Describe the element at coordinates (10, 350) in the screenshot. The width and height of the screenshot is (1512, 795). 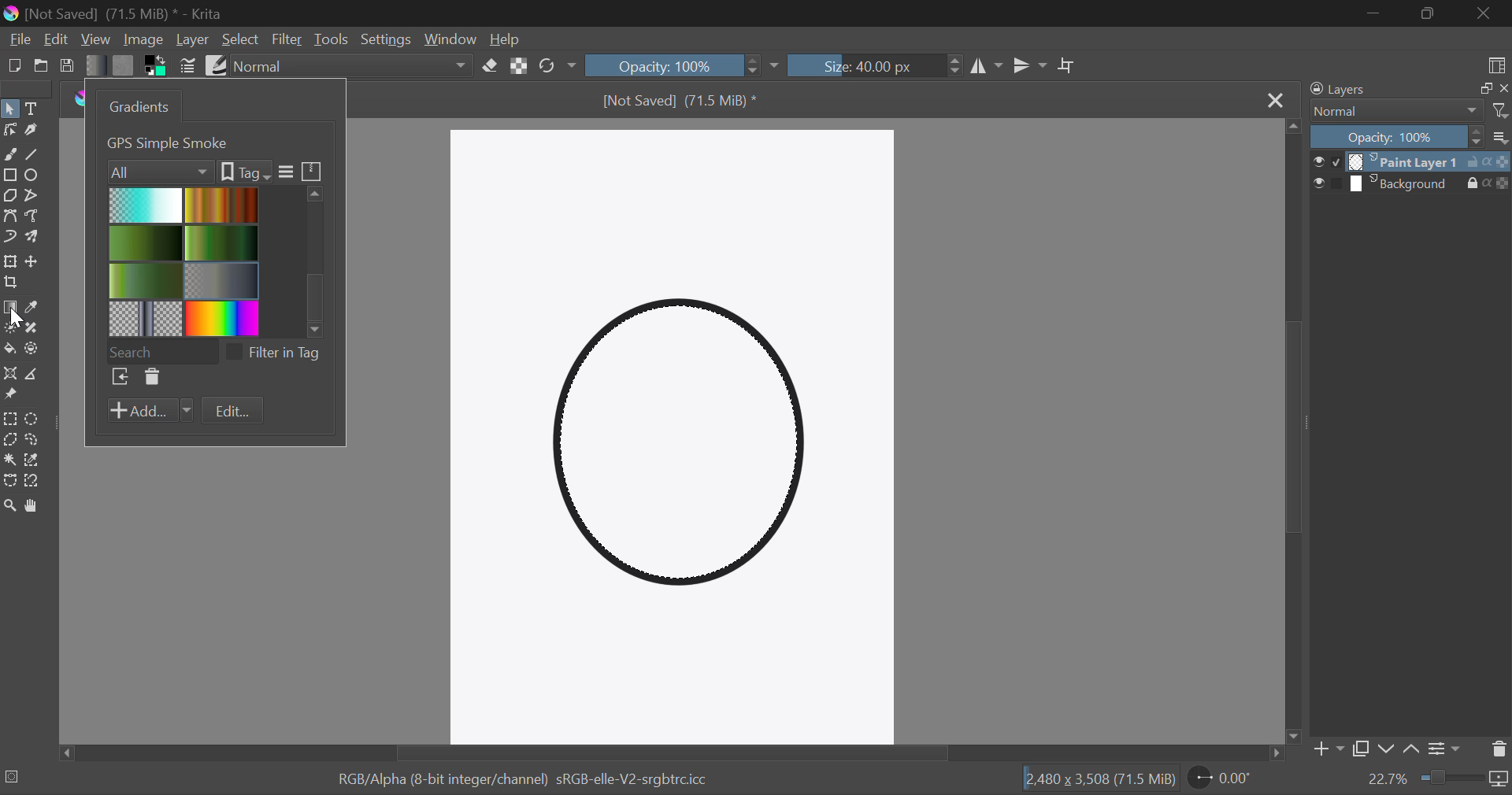
I see `Fill` at that location.